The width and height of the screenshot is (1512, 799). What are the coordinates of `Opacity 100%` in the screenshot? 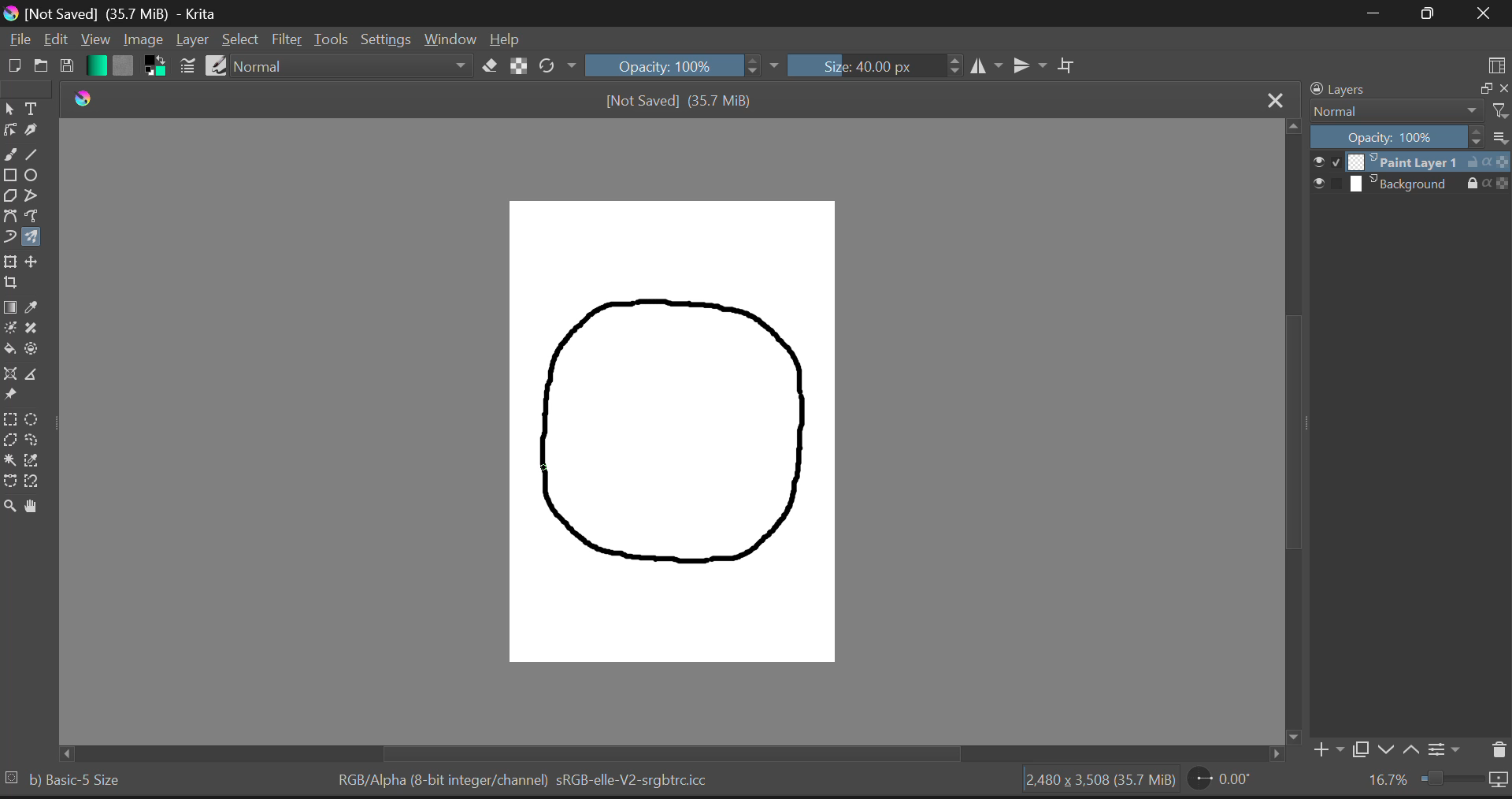 It's located at (682, 65).